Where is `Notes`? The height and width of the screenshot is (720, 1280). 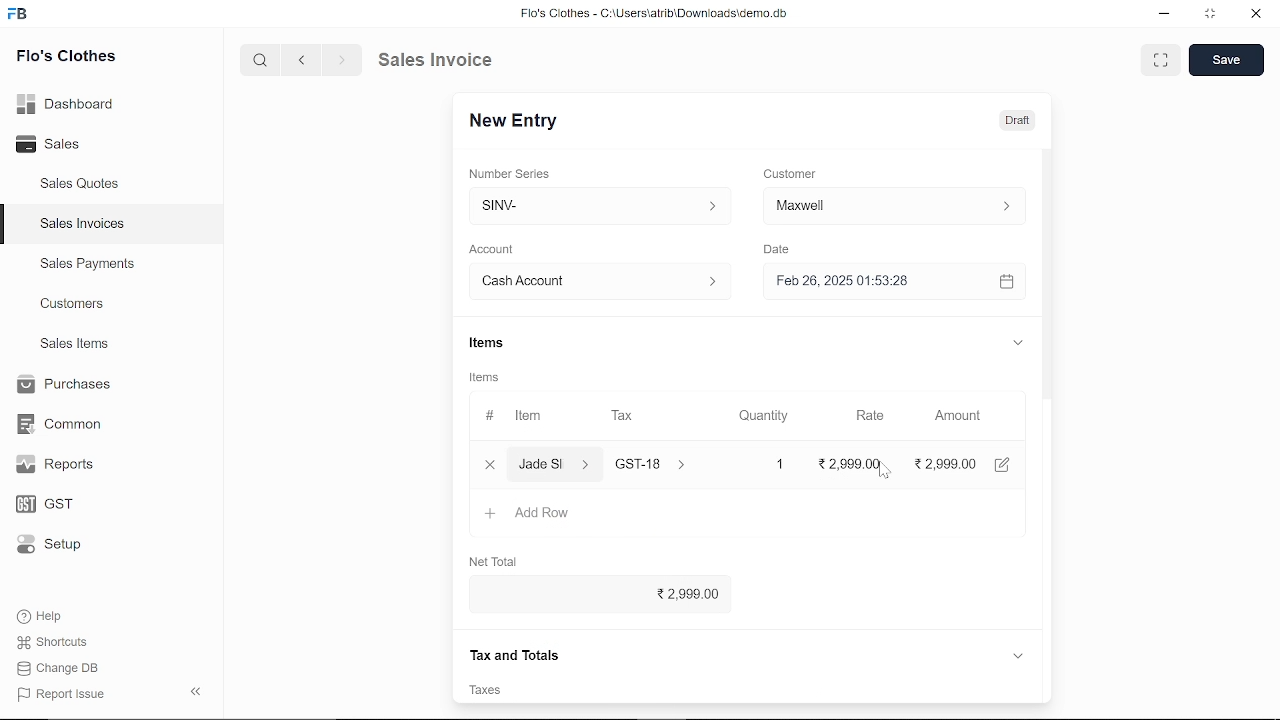 Notes is located at coordinates (493, 690).